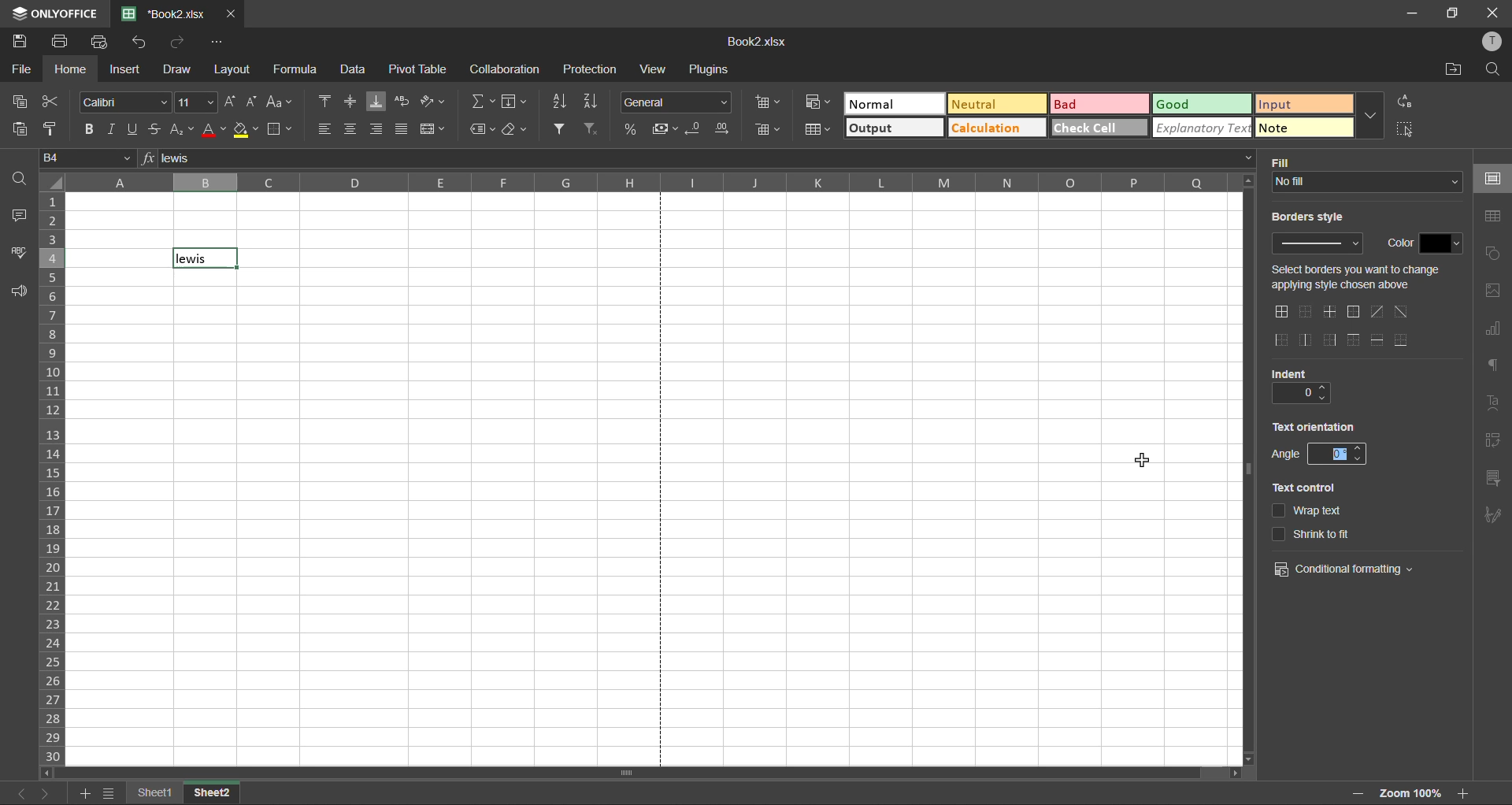 This screenshot has width=1512, height=805. Describe the element at coordinates (87, 158) in the screenshot. I see `cell address` at that location.